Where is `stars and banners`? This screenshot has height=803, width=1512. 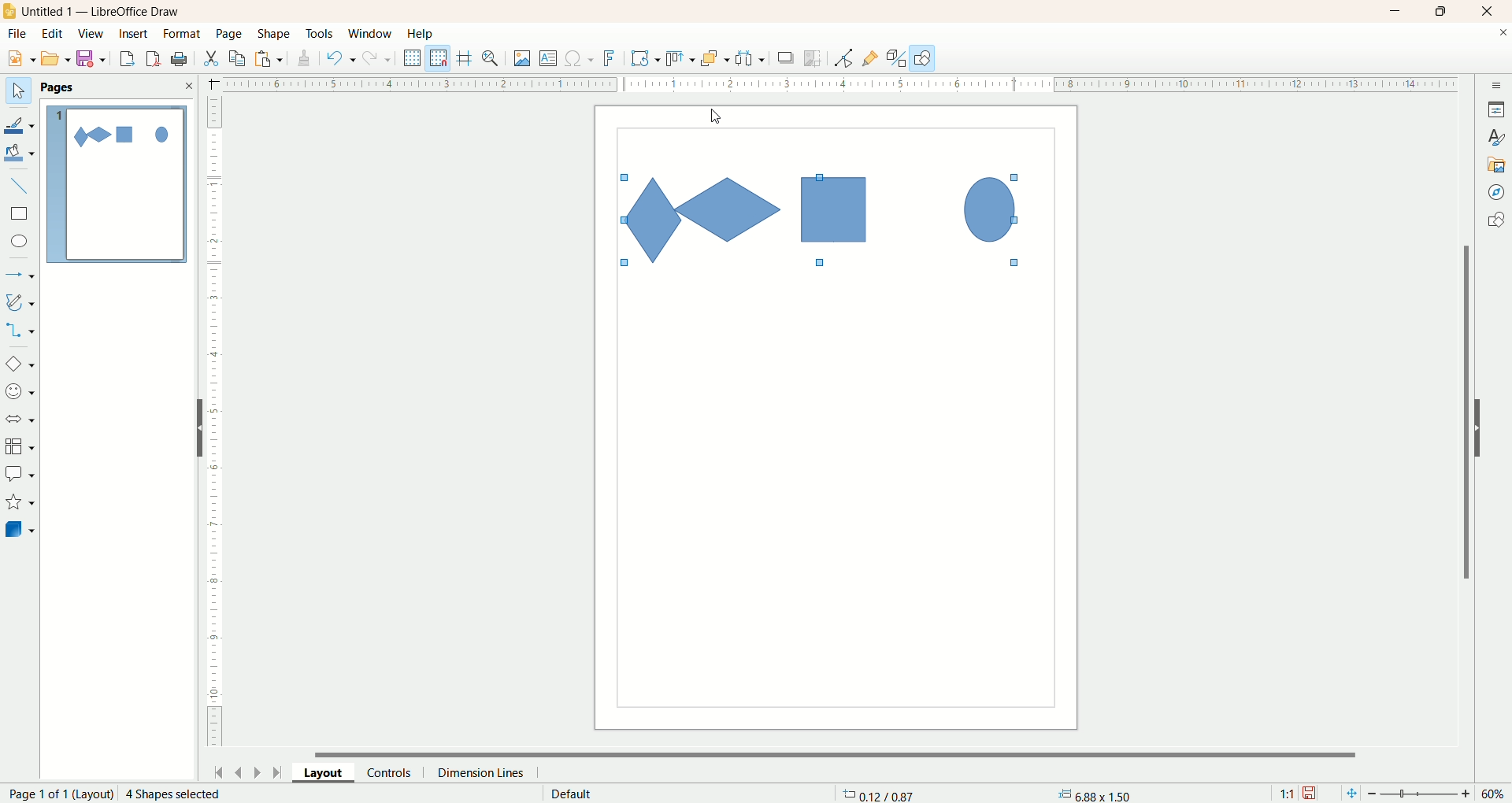 stars and banners is located at coordinates (19, 501).